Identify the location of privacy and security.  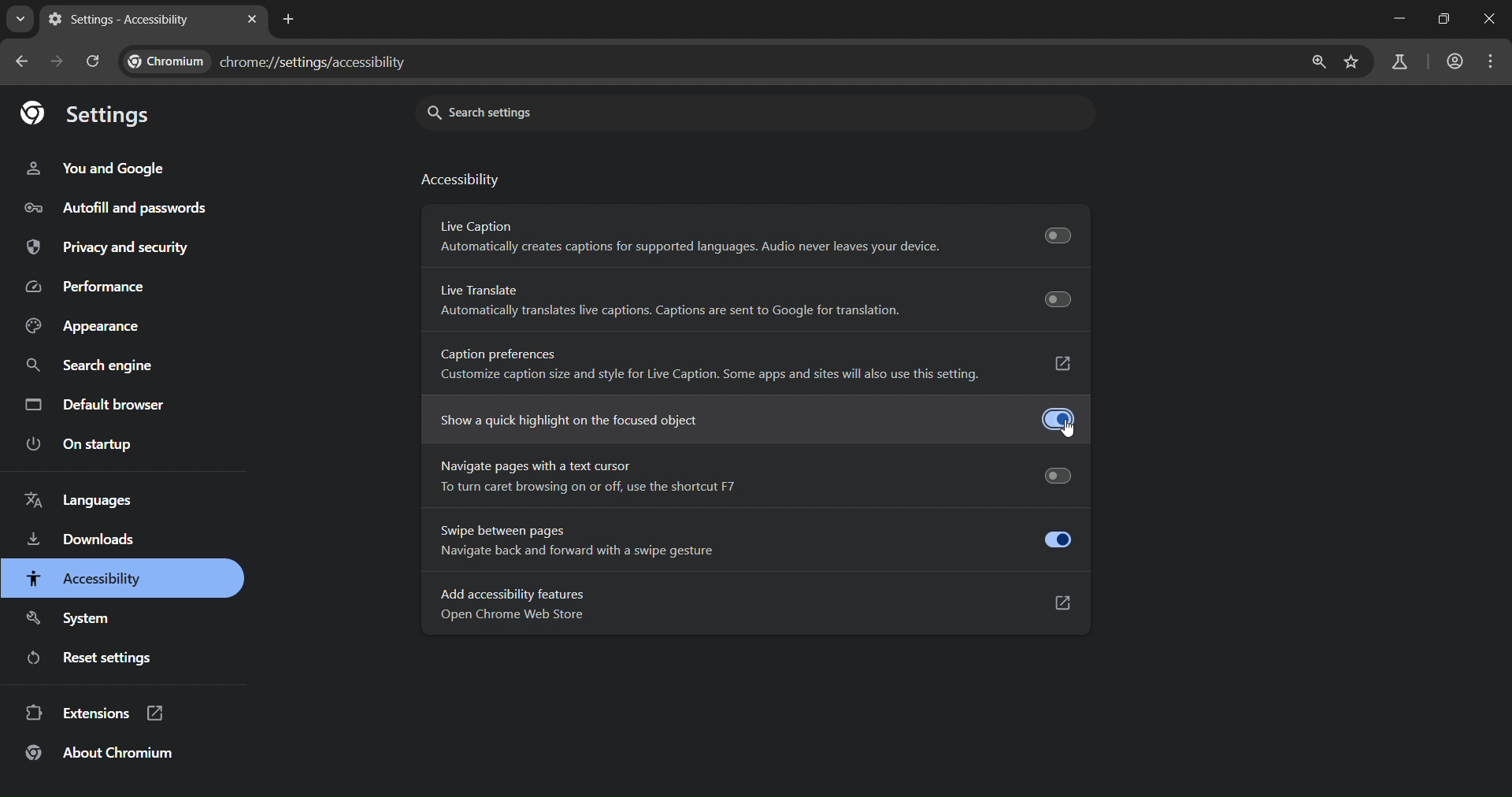
(106, 250).